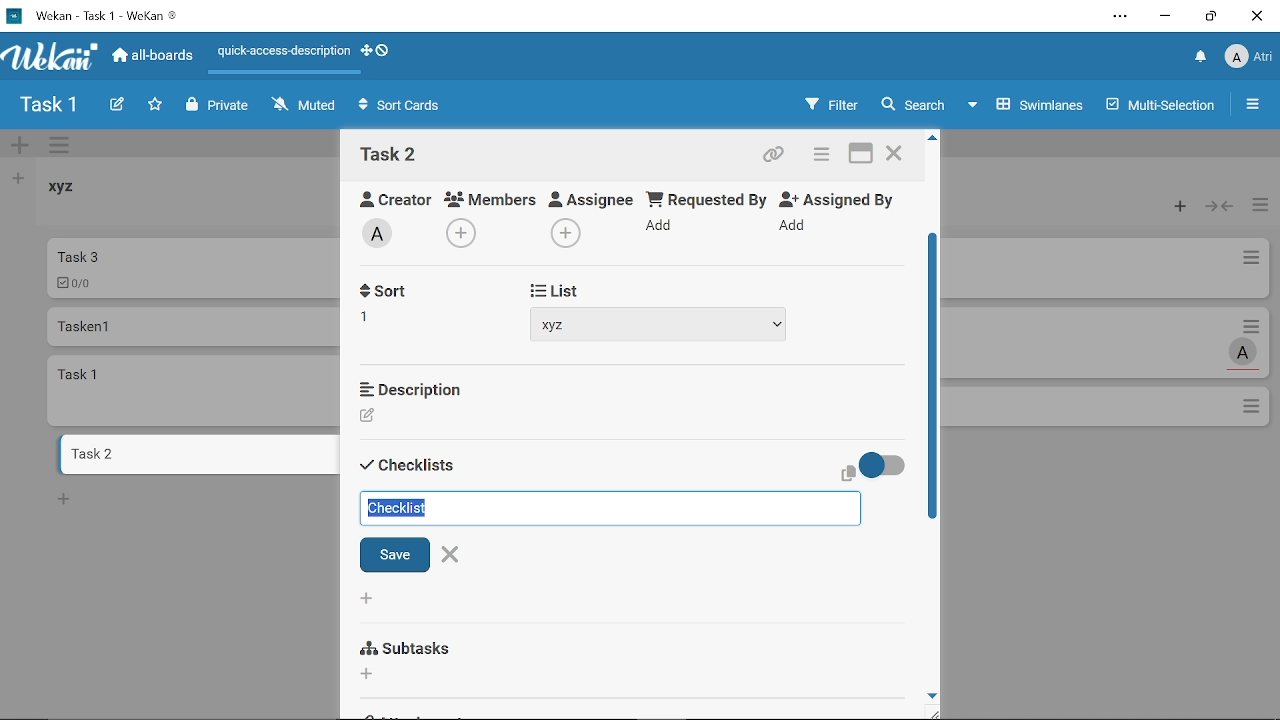 This screenshot has height=720, width=1280. Describe the element at coordinates (818, 157) in the screenshot. I see `Card actions` at that location.